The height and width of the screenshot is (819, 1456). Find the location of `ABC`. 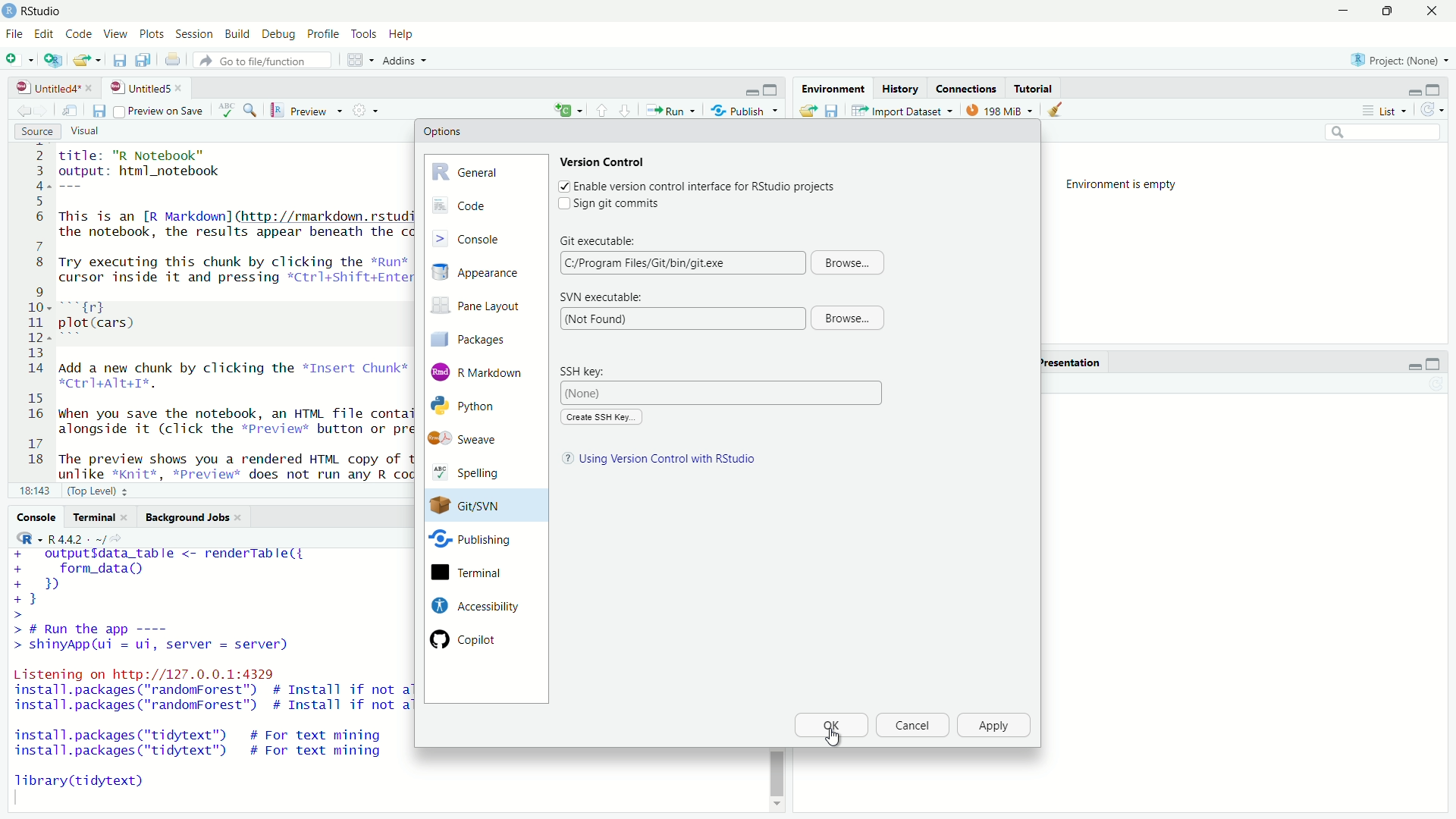

ABC is located at coordinates (237, 110).